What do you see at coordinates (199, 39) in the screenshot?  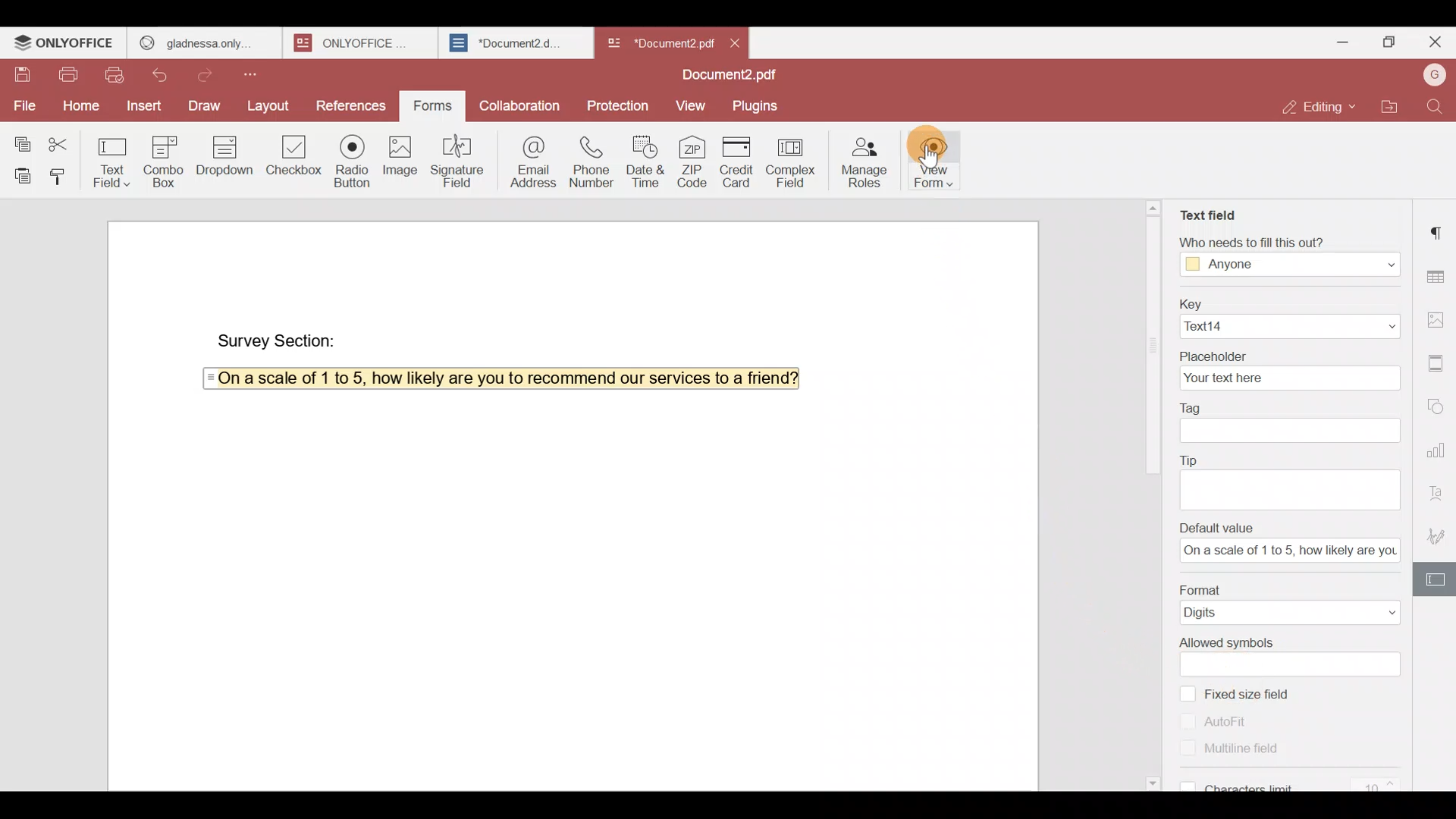 I see `GLADNESS ONLY` at bounding box center [199, 39].